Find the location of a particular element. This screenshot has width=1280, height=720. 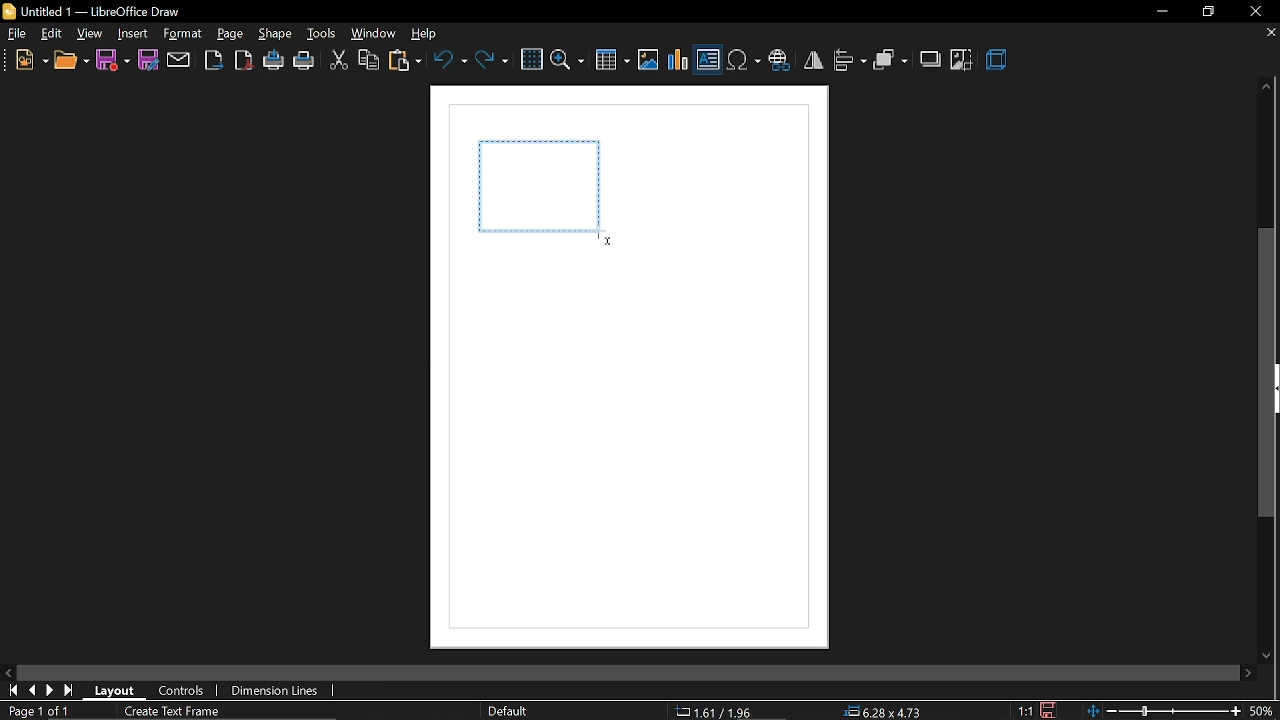

current zoom is located at coordinates (1266, 711).